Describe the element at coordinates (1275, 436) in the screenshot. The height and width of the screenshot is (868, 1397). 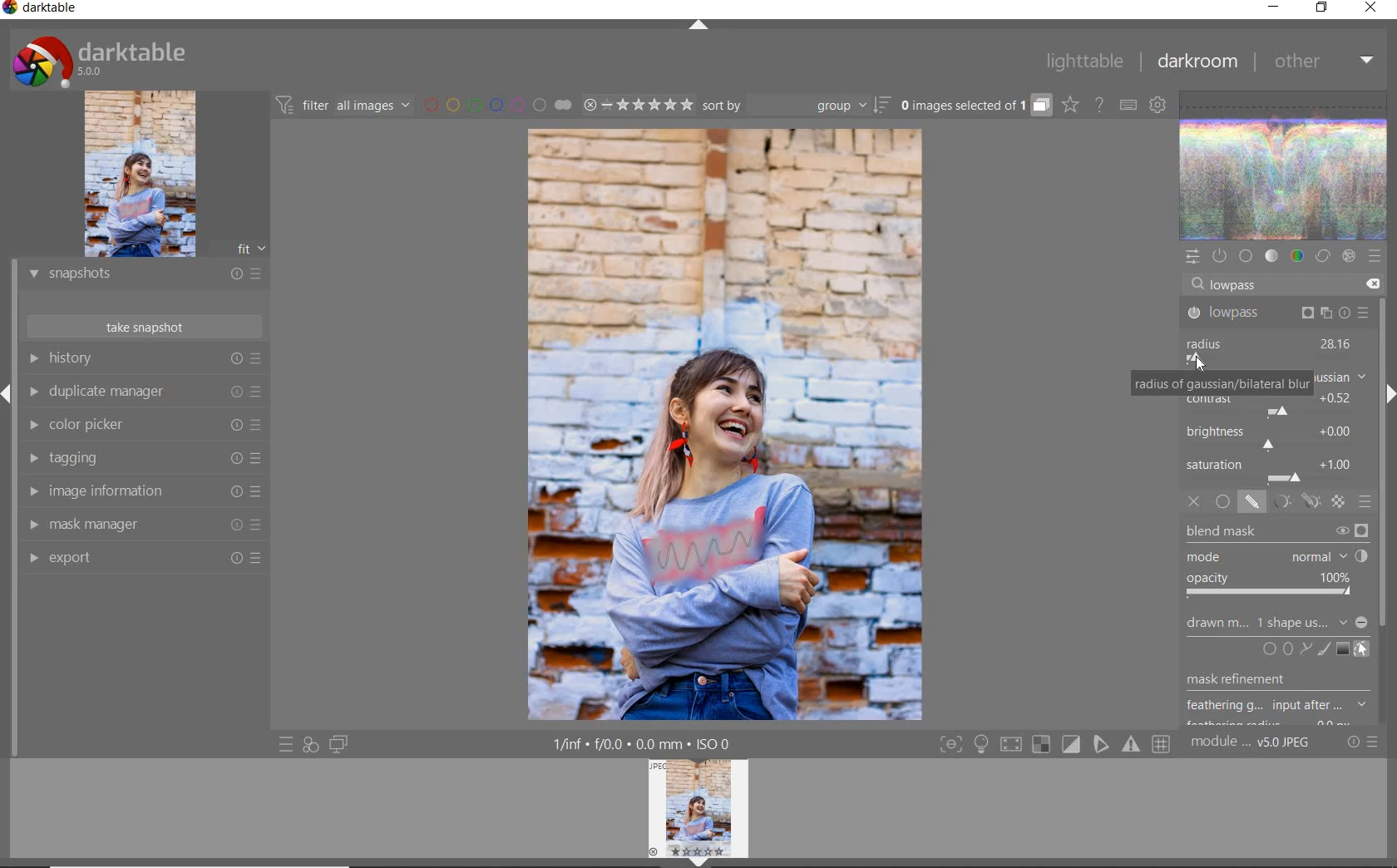
I see `brightness` at that location.